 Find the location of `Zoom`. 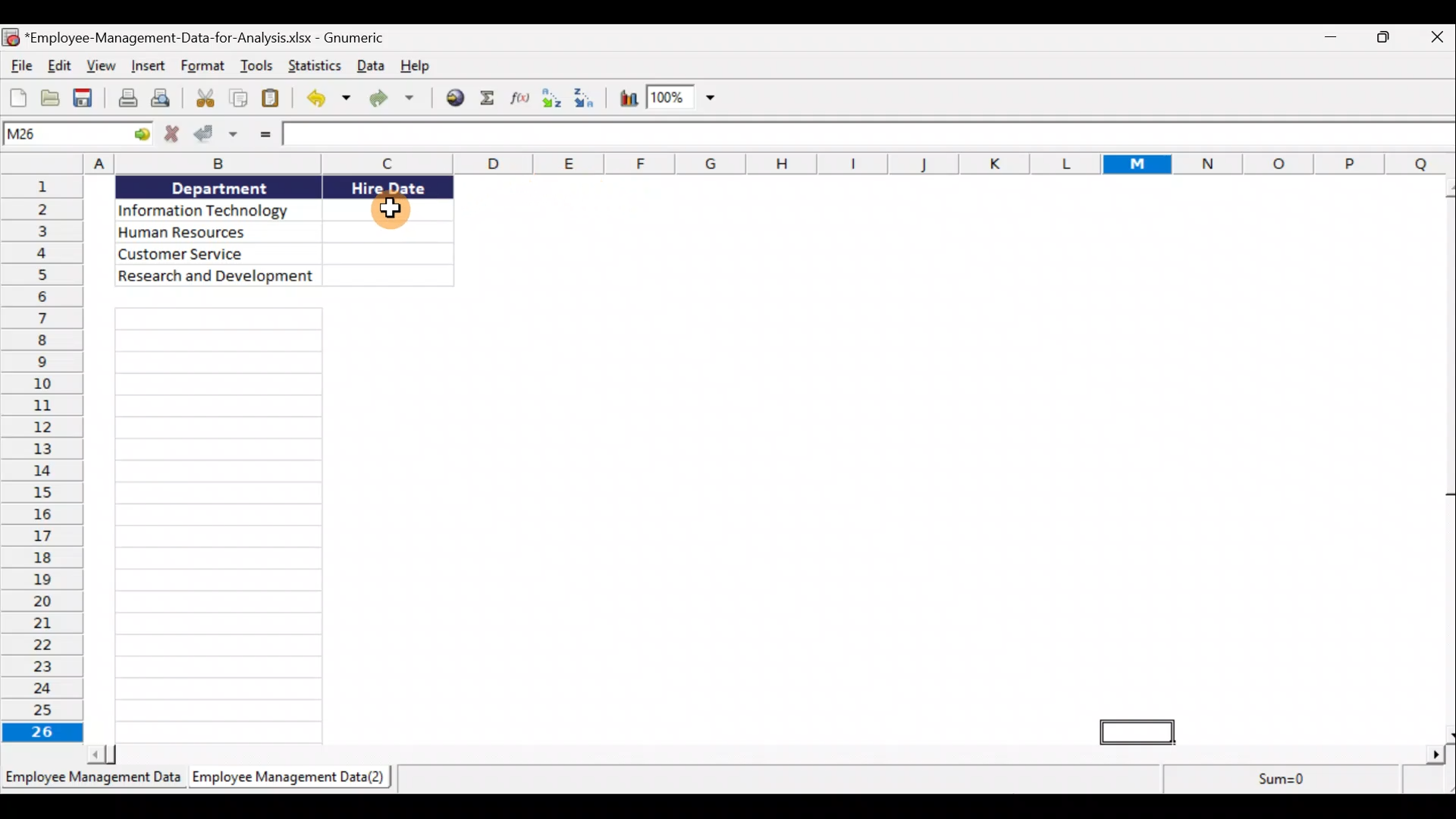

Zoom is located at coordinates (684, 99).